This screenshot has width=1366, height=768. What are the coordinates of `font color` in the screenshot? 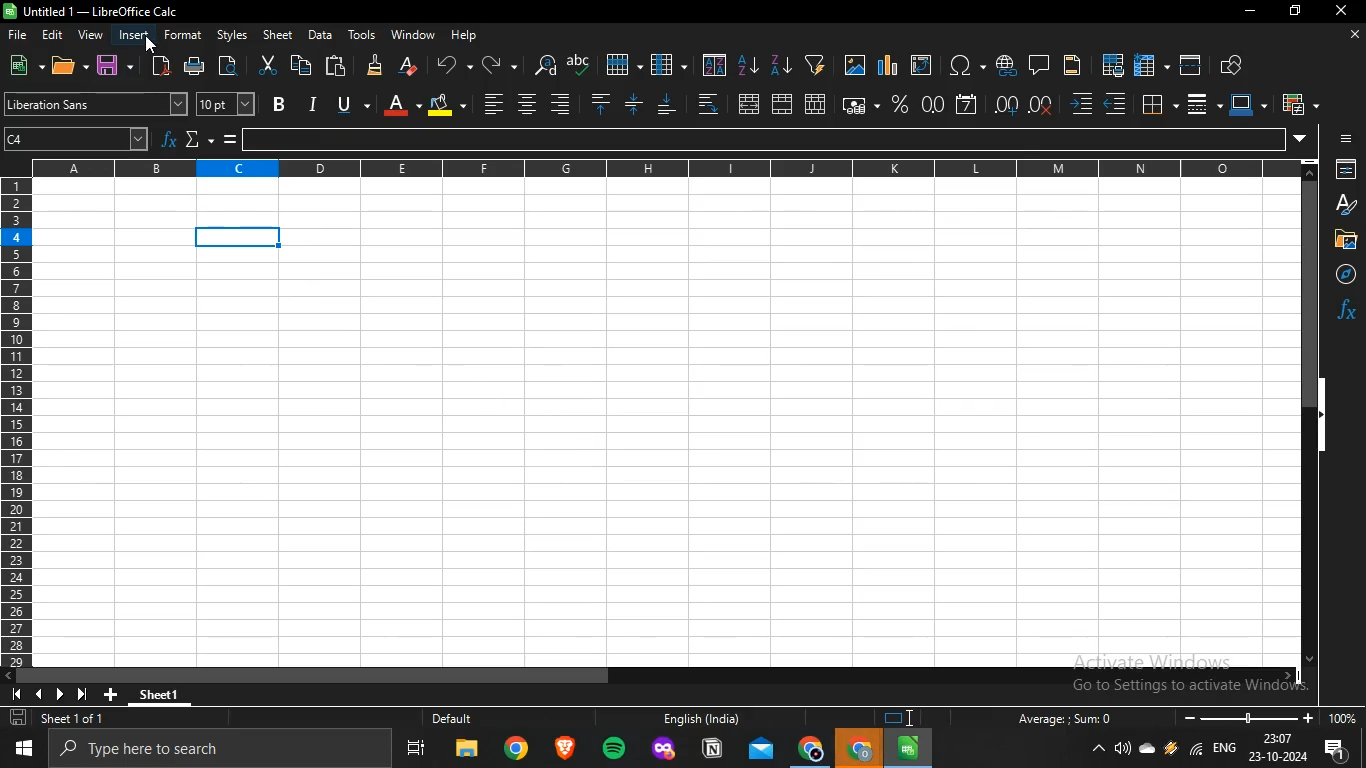 It's located at (395, 103).